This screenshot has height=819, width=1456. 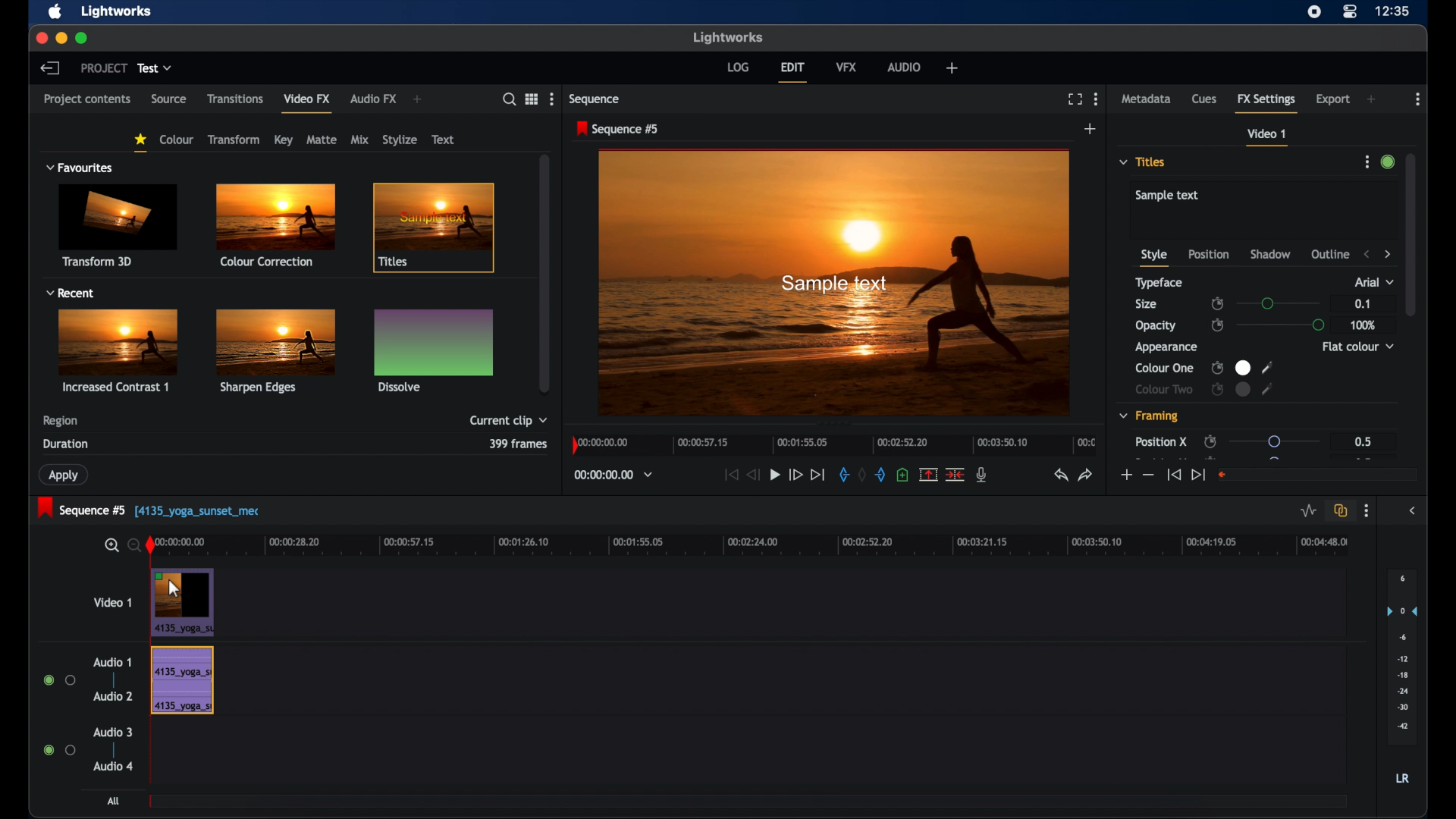 I want to click on add an out mark, so click(x=880, y=475).